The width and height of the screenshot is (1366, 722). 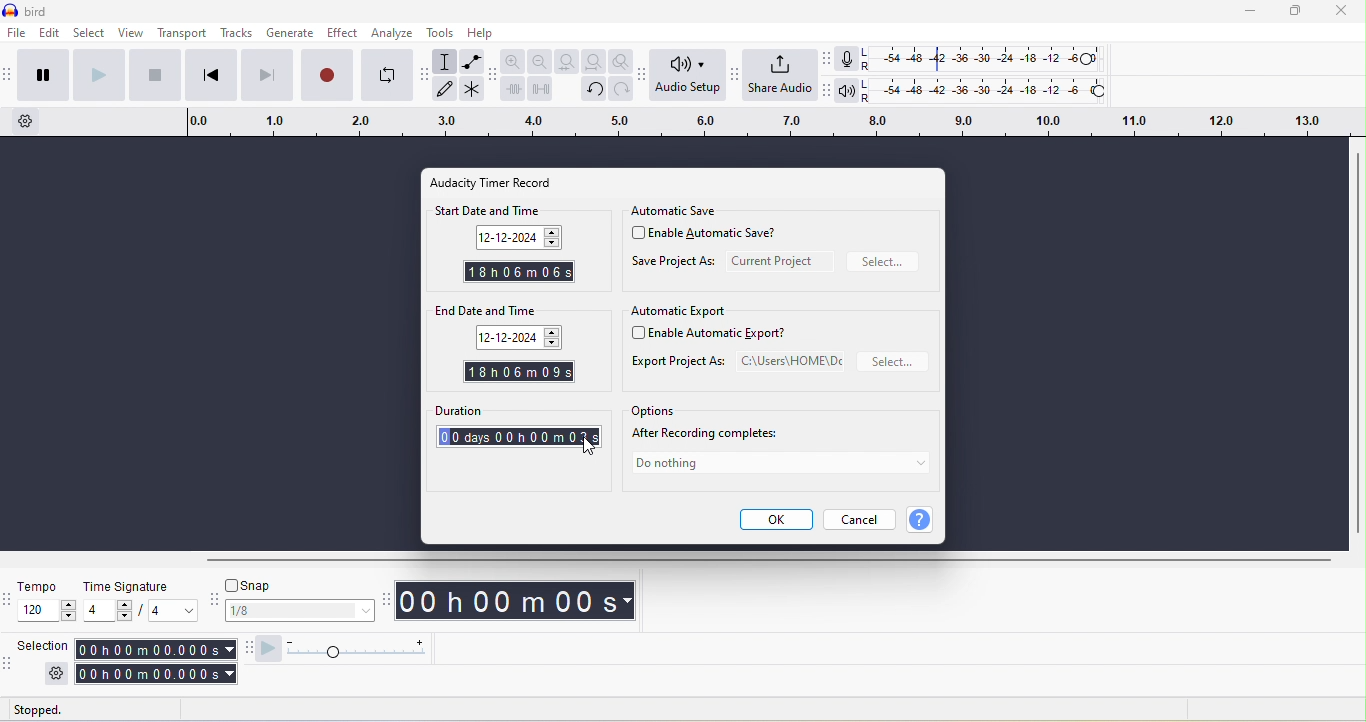 I want to click on audacity transport toolbar, so click(x=9, y=74).